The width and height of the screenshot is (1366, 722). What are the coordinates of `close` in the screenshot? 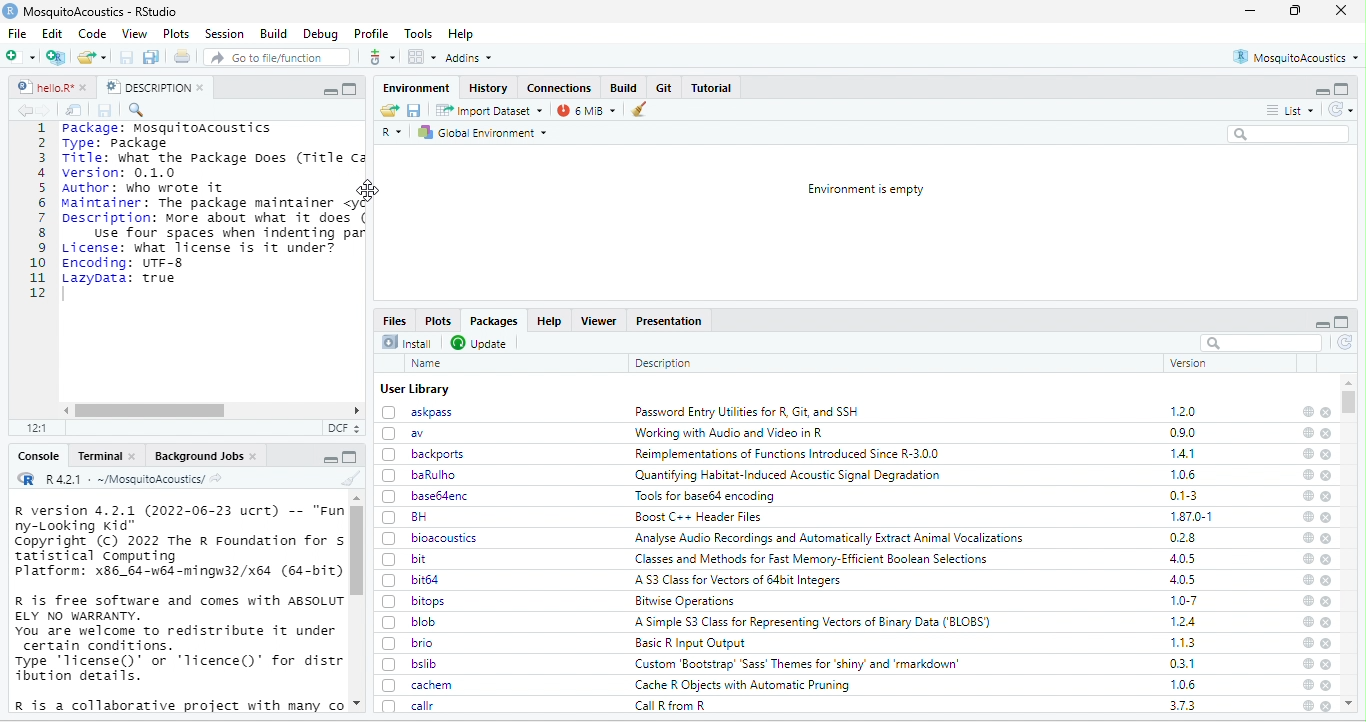 It's located at (1326, 497).